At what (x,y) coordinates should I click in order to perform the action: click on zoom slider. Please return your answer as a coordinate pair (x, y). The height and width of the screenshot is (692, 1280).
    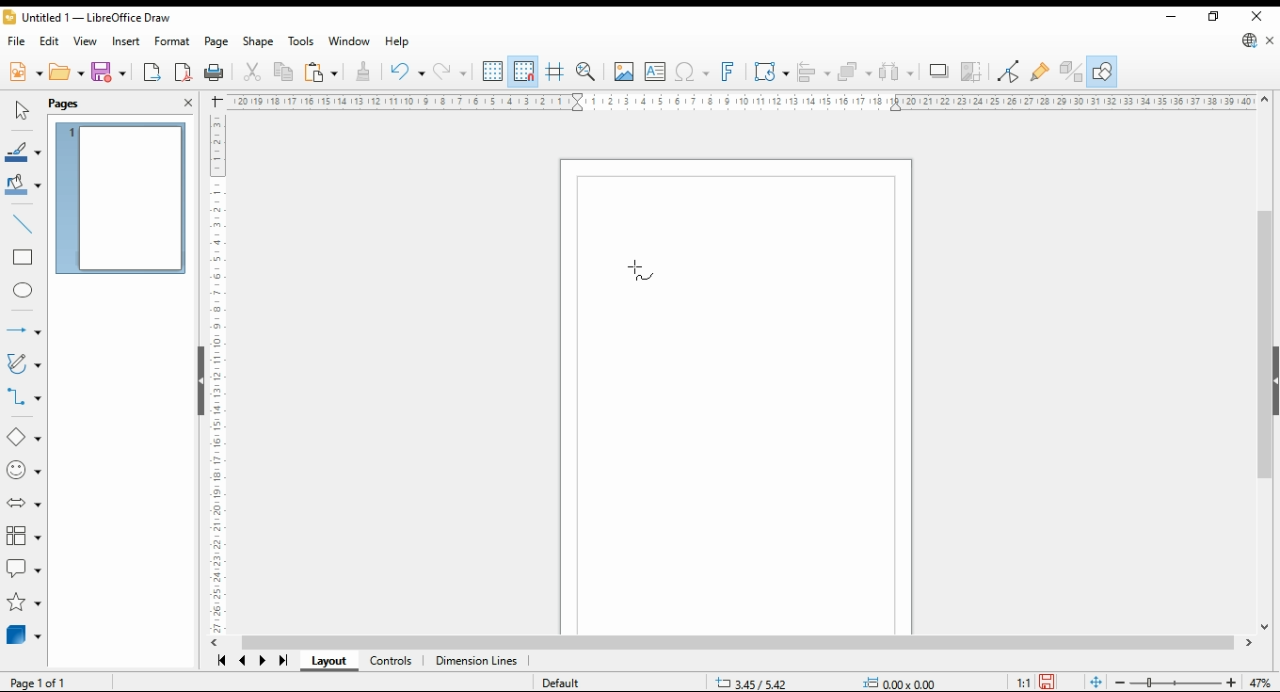
    Looking at the image, I should click on (1174, 682).